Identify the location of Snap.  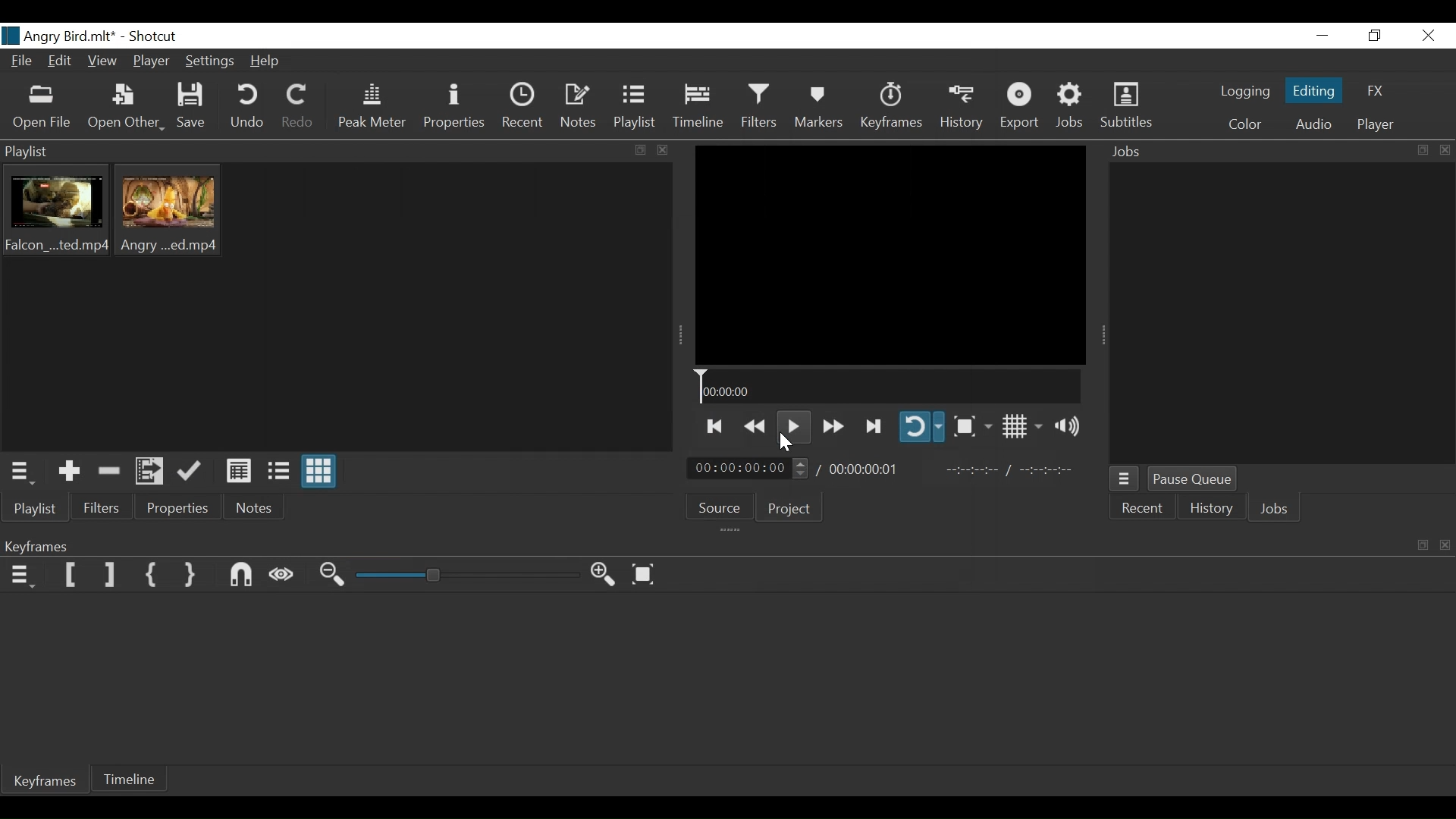
(240, 576).